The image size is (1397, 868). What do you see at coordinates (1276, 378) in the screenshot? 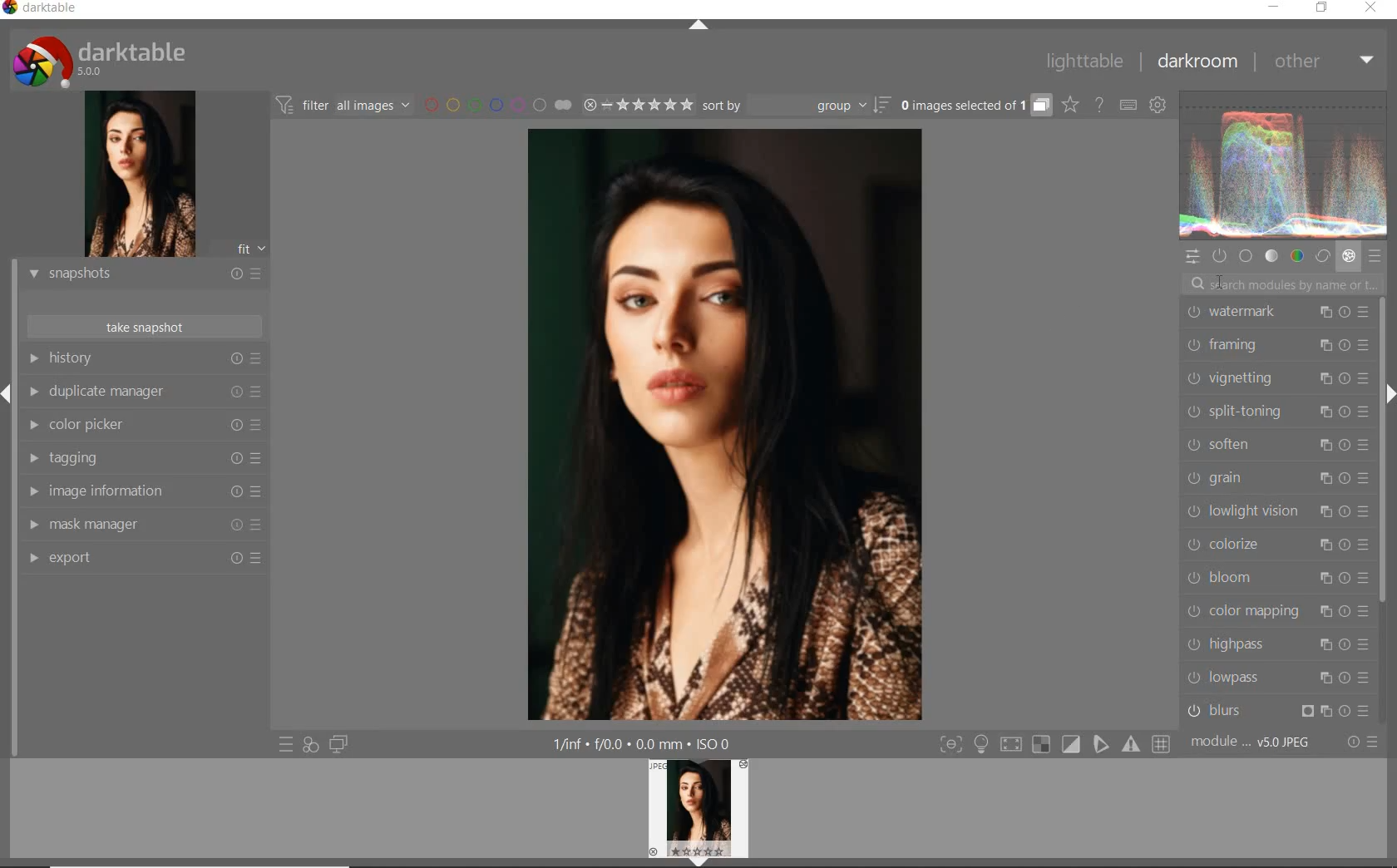
I see `vignetting` at bounding box center [1276, 378].